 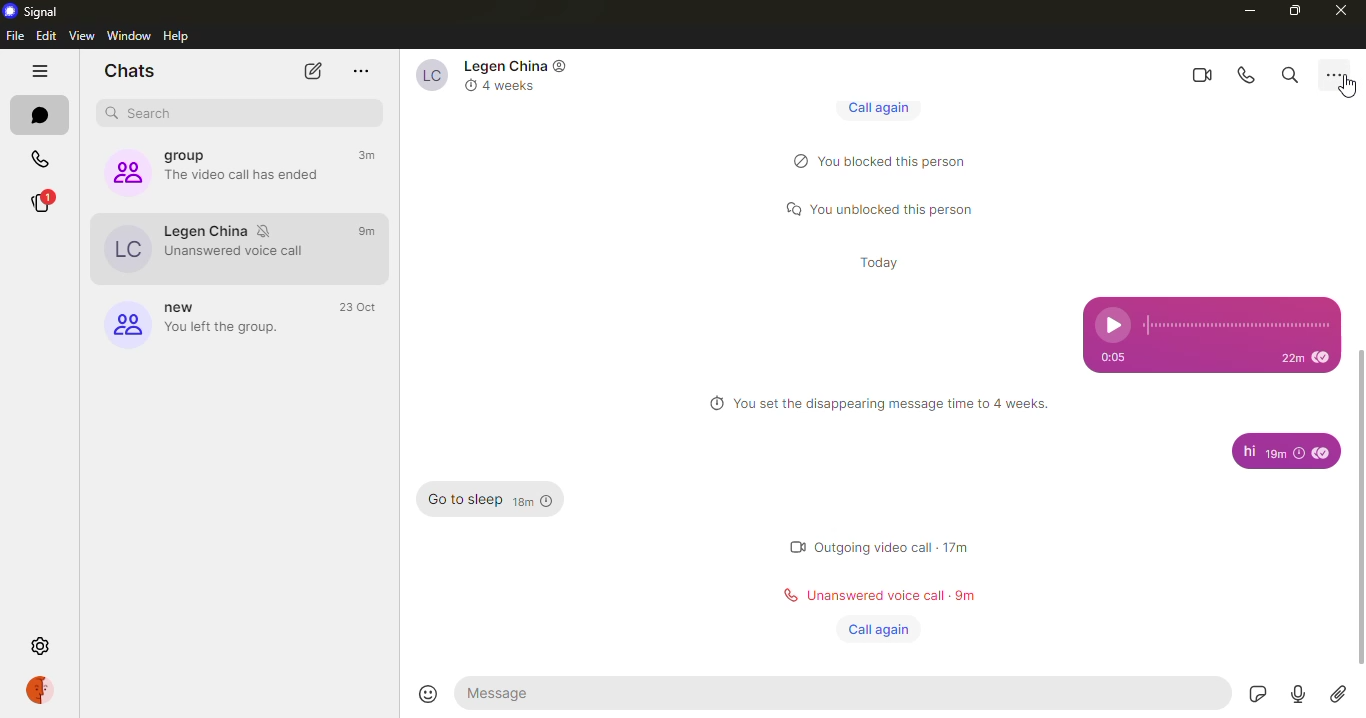 What do you see at coordinates (1243, 452) in the screenshot?
I see `message` at bounding box center [1243, 452].